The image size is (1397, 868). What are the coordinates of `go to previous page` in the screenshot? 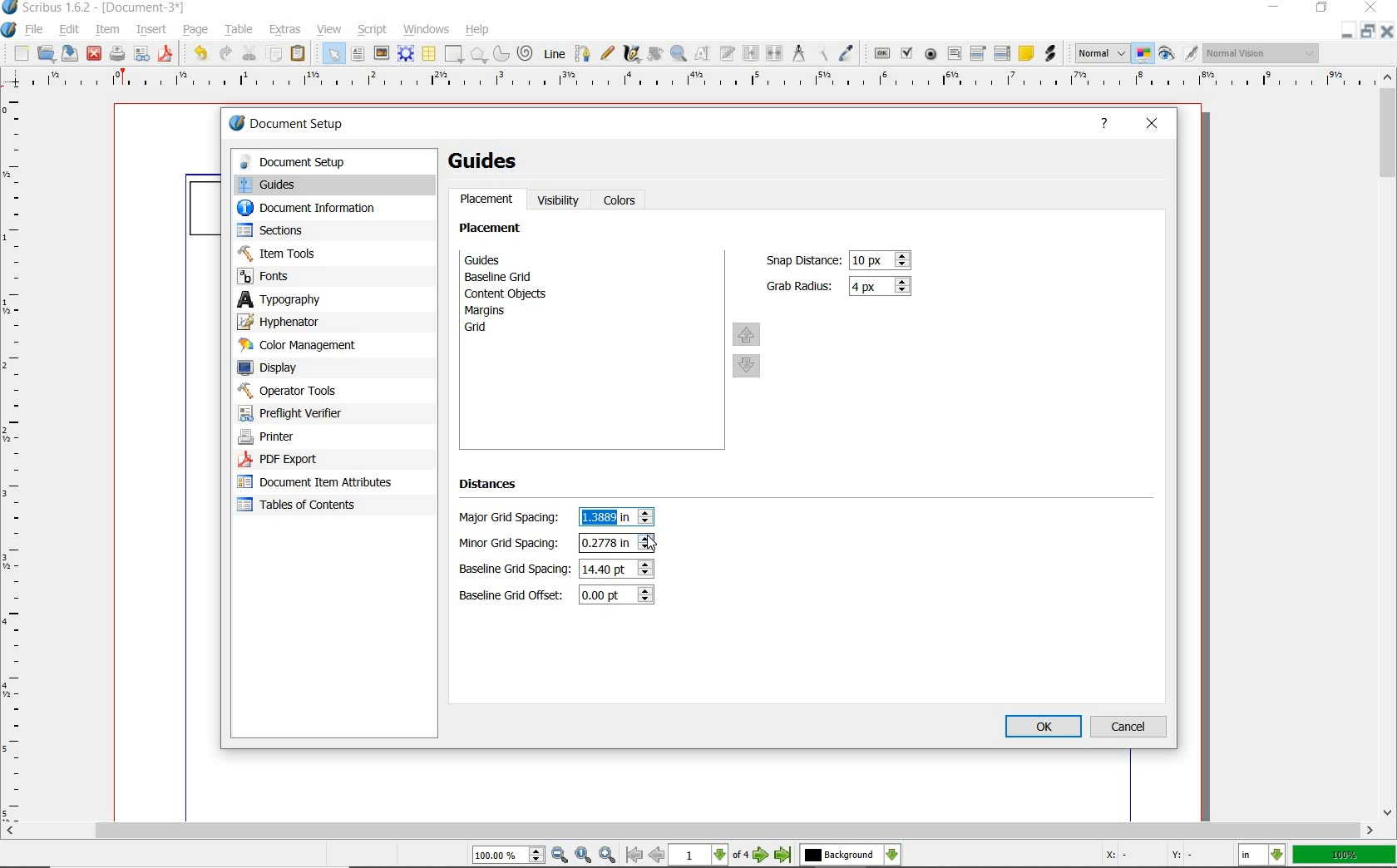 It's located at (658, 856).